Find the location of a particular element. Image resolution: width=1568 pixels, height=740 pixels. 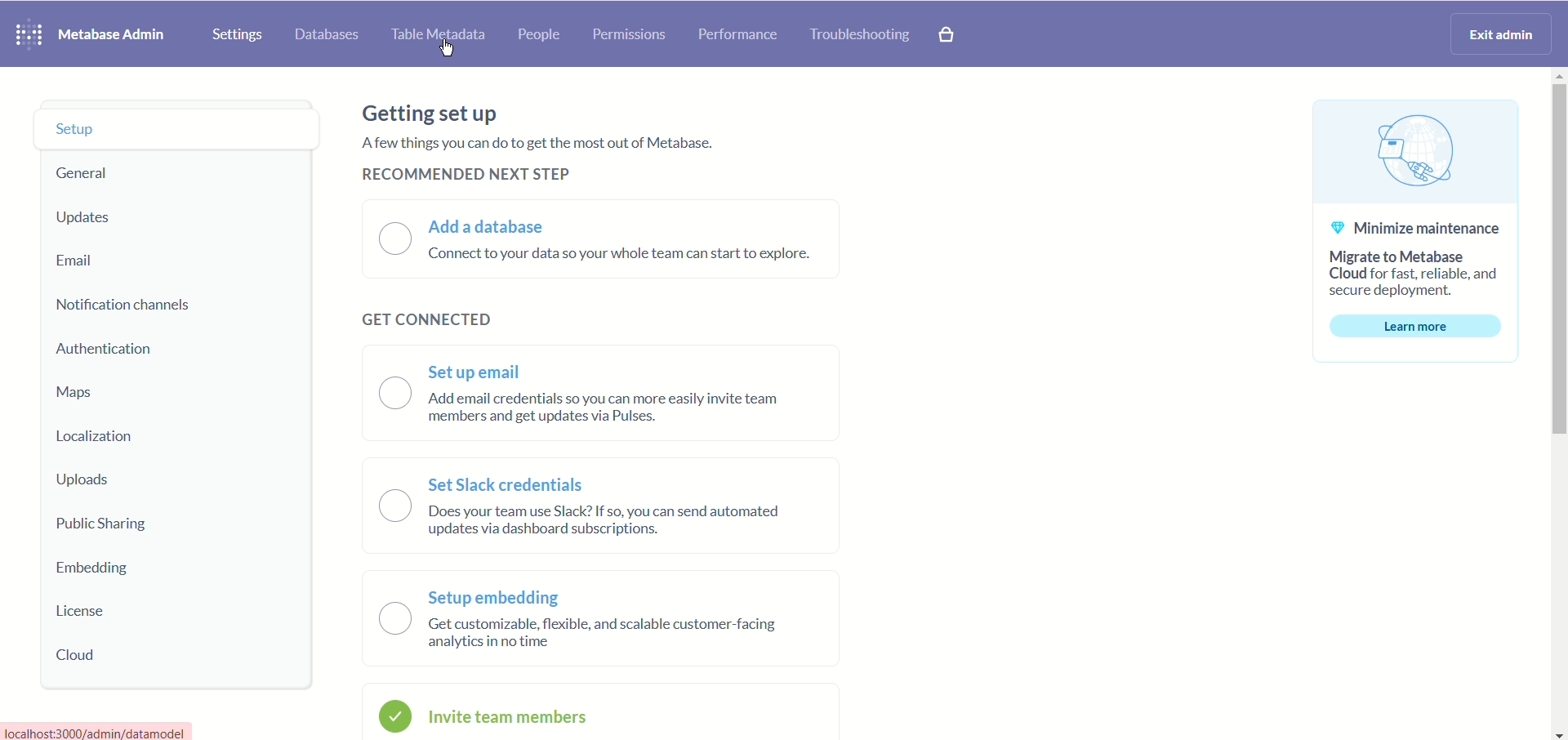

Setup embedding
| Get customizable, flexible, and scalable customer-facing
analytics in no time is located at coordinates (597, 618).